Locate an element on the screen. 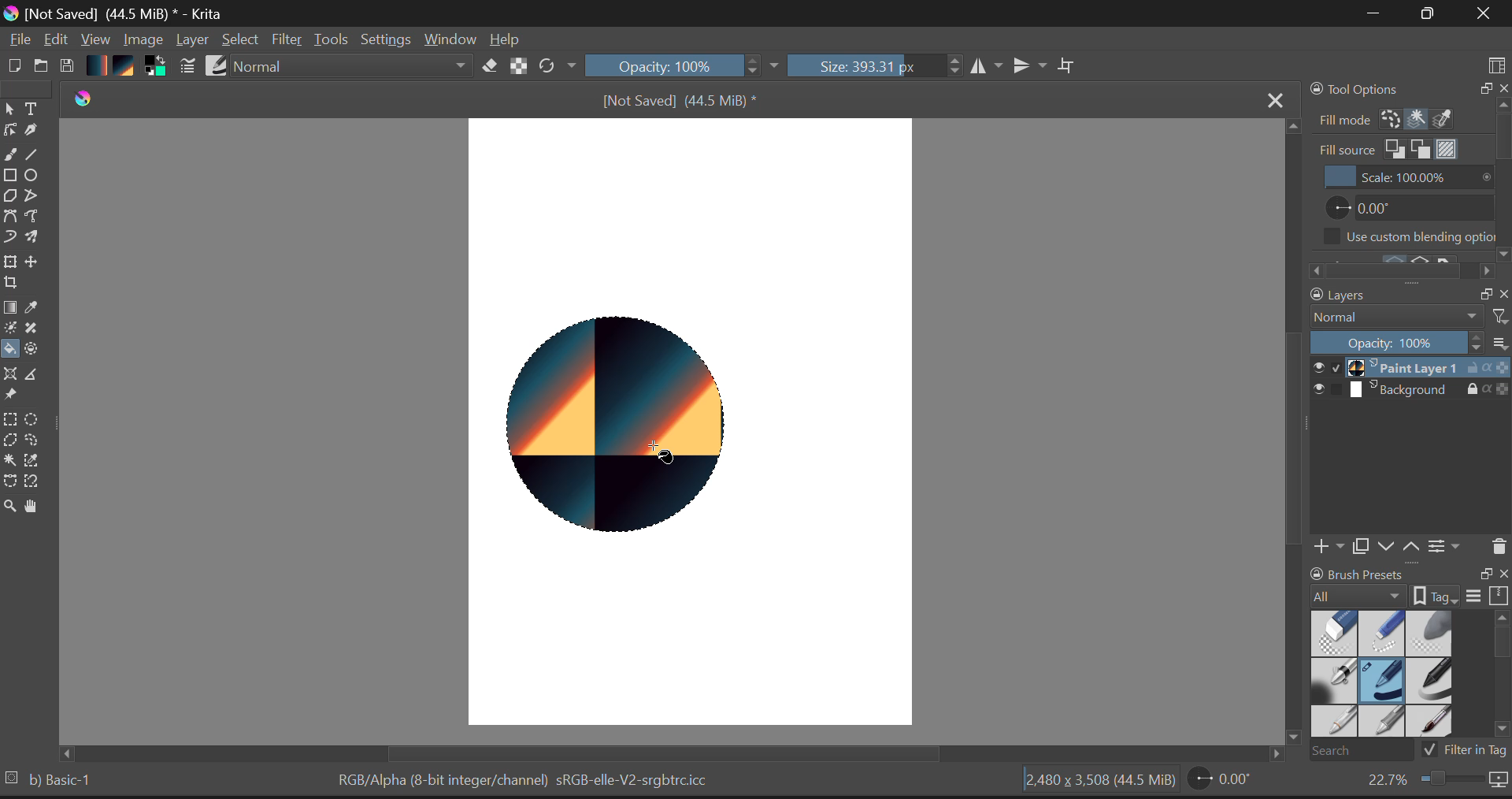  Assistant Tool is located at coordinates (13, 372).